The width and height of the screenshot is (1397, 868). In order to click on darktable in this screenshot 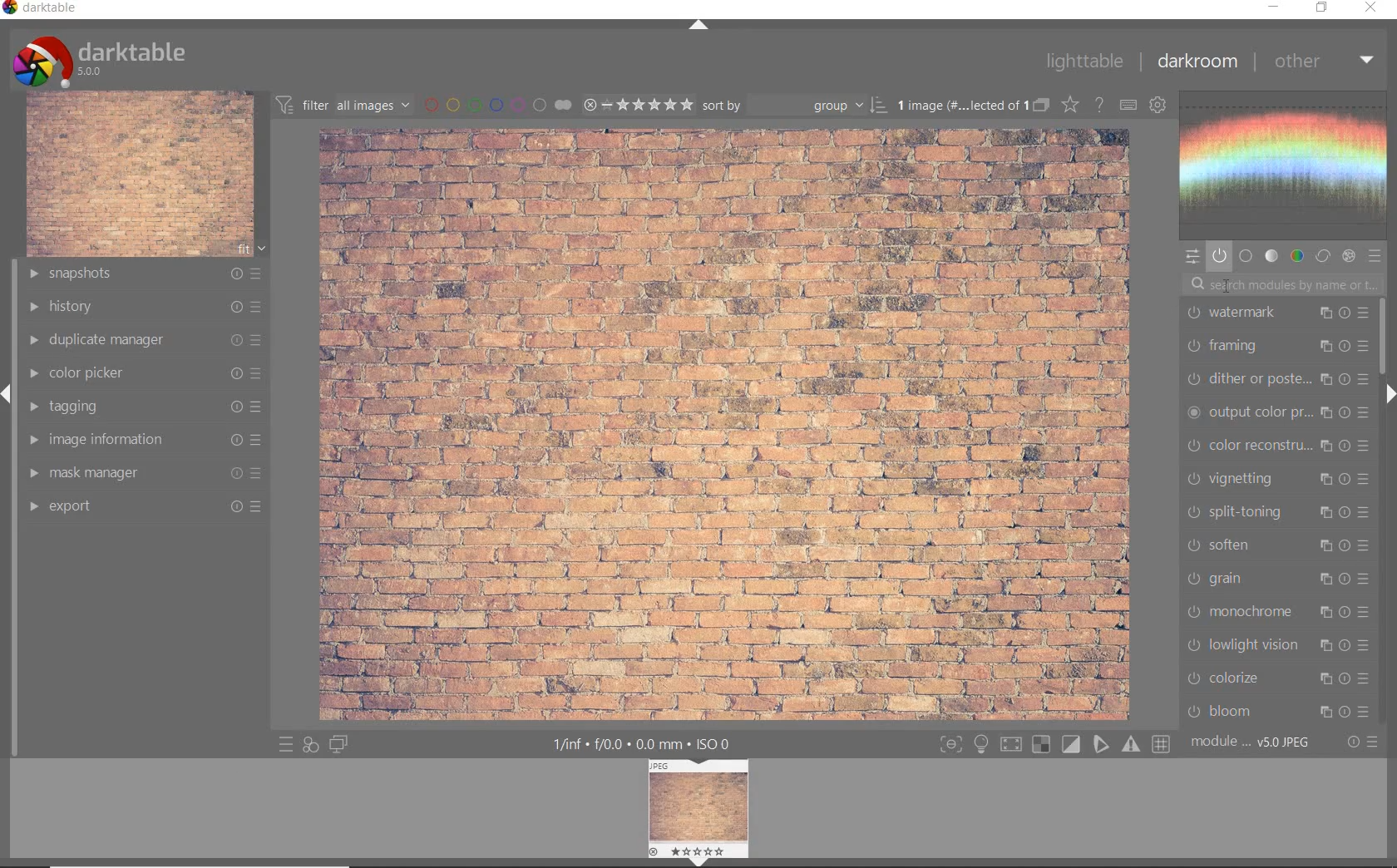, I will do `click(42, 9)`.